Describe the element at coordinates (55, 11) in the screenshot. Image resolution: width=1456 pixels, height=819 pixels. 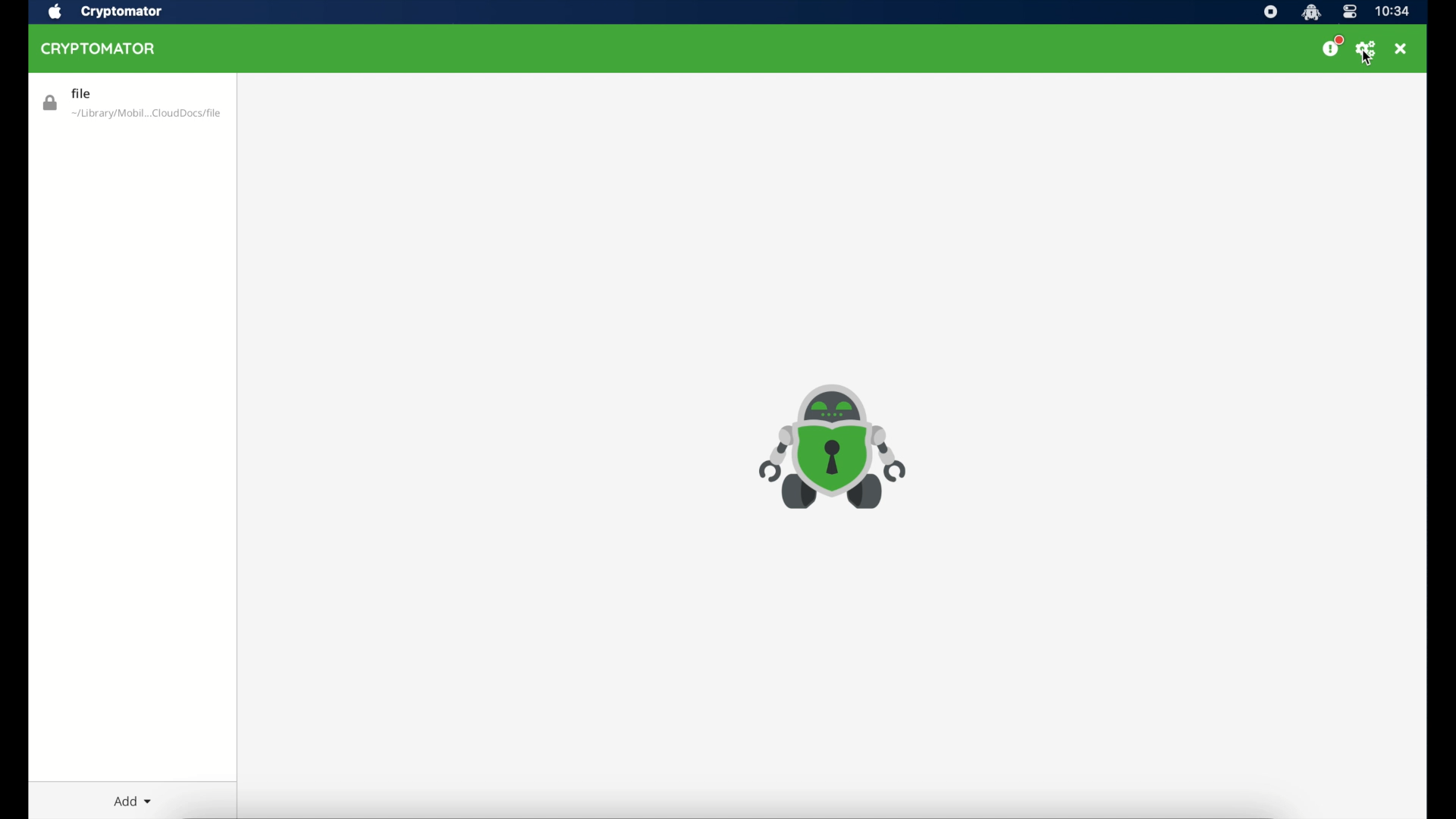
I see `apple icon` at that location.